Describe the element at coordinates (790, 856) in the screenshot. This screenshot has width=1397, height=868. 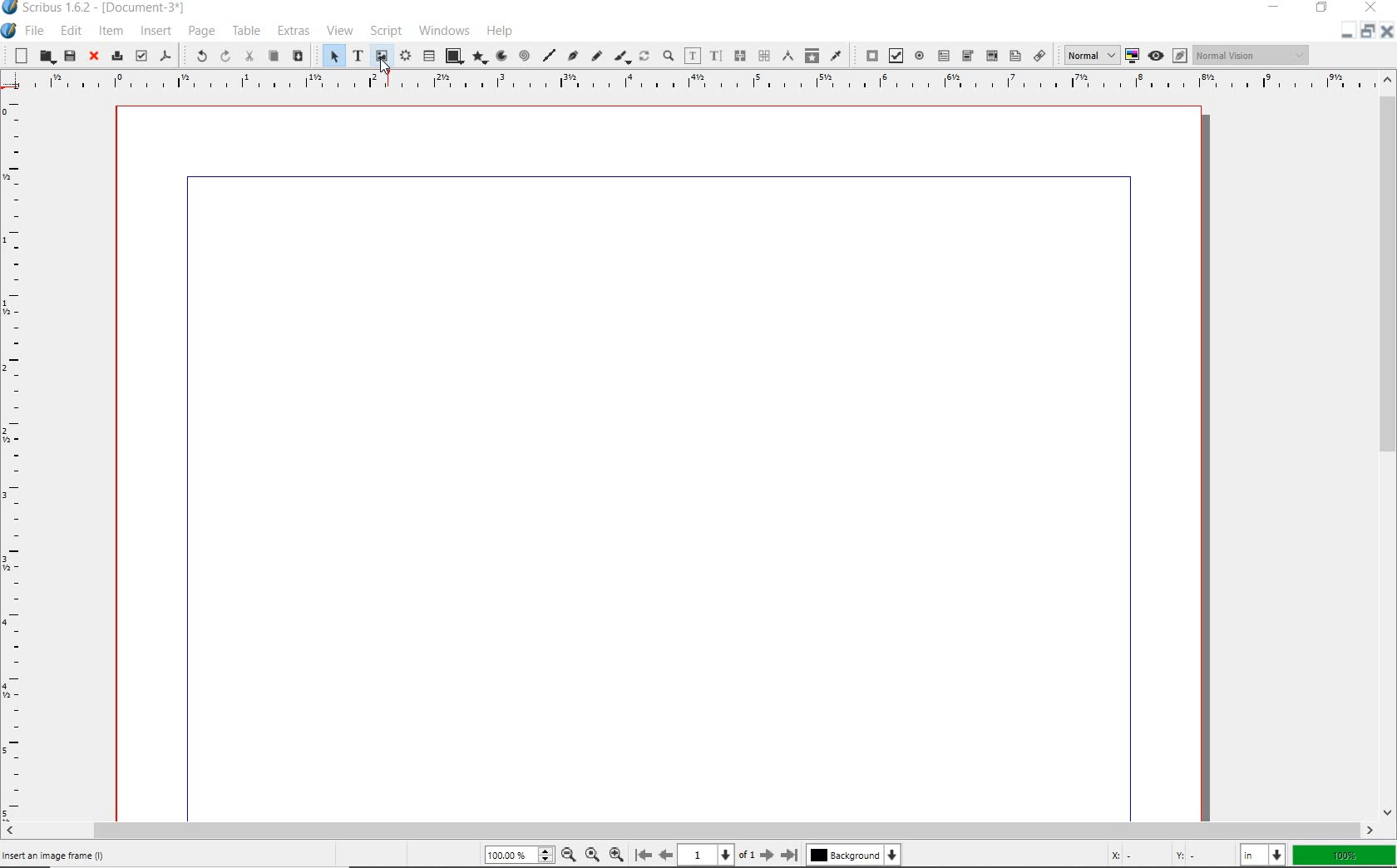
I see `last` at that location.